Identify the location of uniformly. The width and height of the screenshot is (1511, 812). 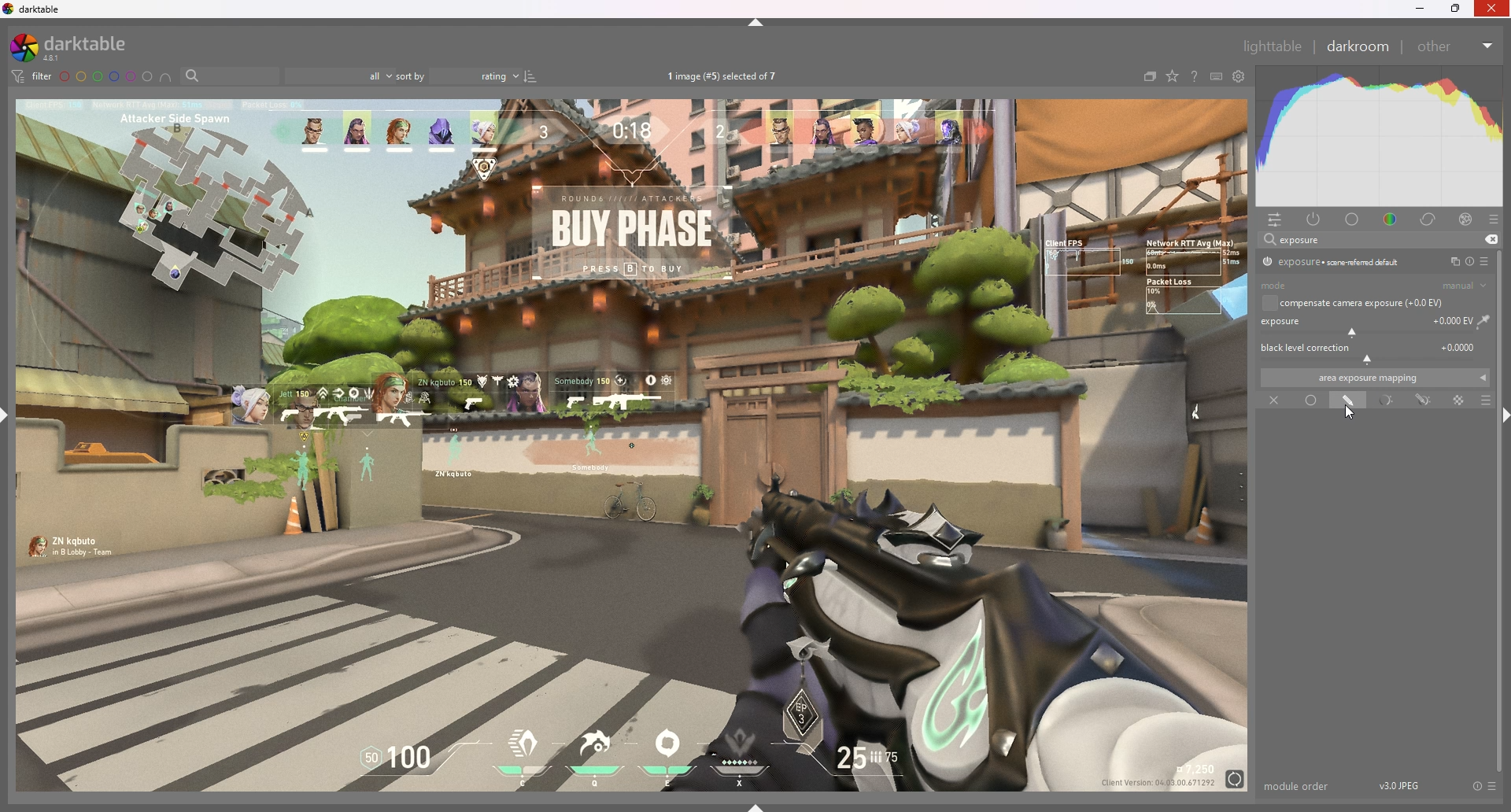
(1311, 400).